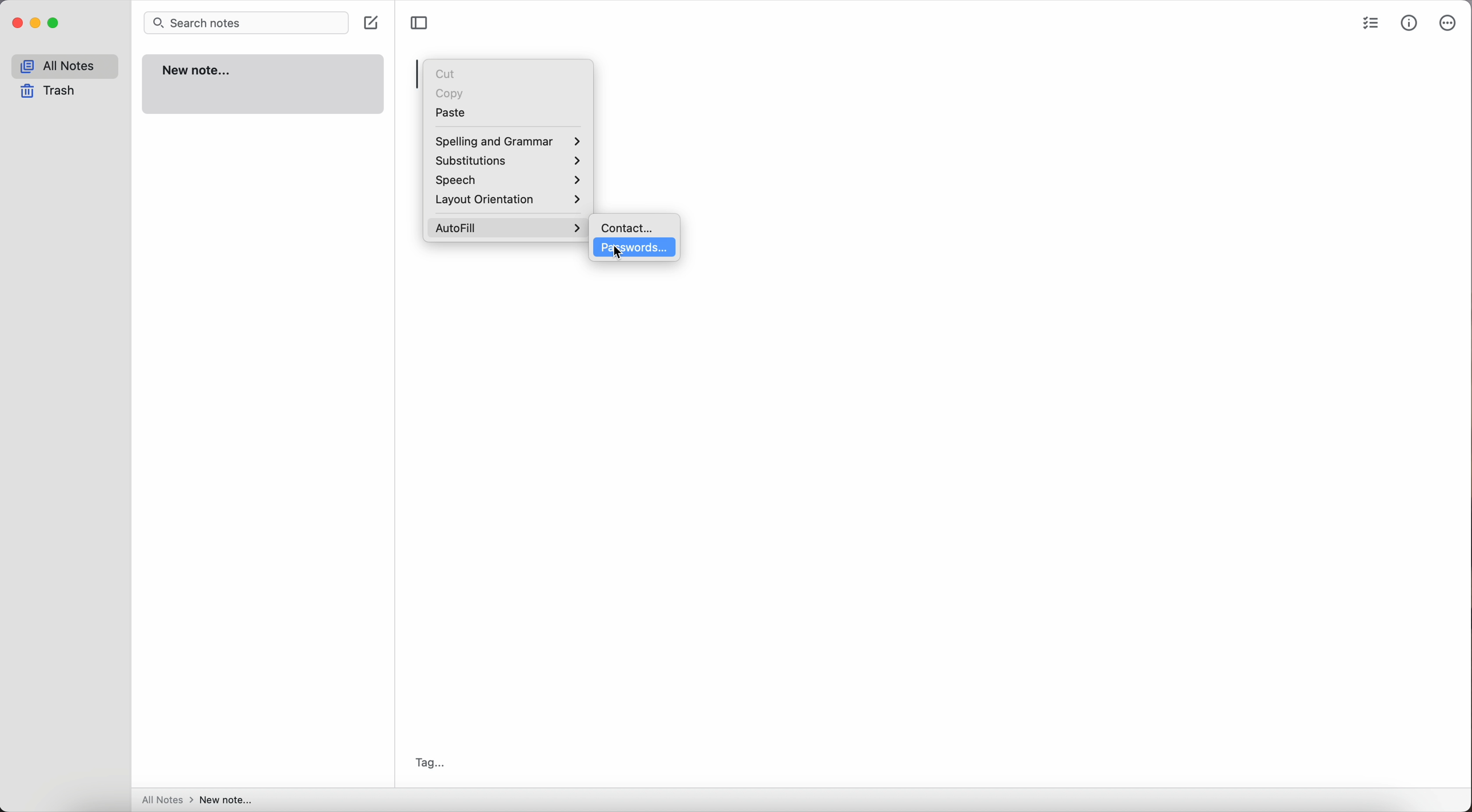 This screenshot has height=812, width=1472. What do you see at coordinates (451, 91) in the screenshot?
I see `copy` at bounding box center [451, 91].